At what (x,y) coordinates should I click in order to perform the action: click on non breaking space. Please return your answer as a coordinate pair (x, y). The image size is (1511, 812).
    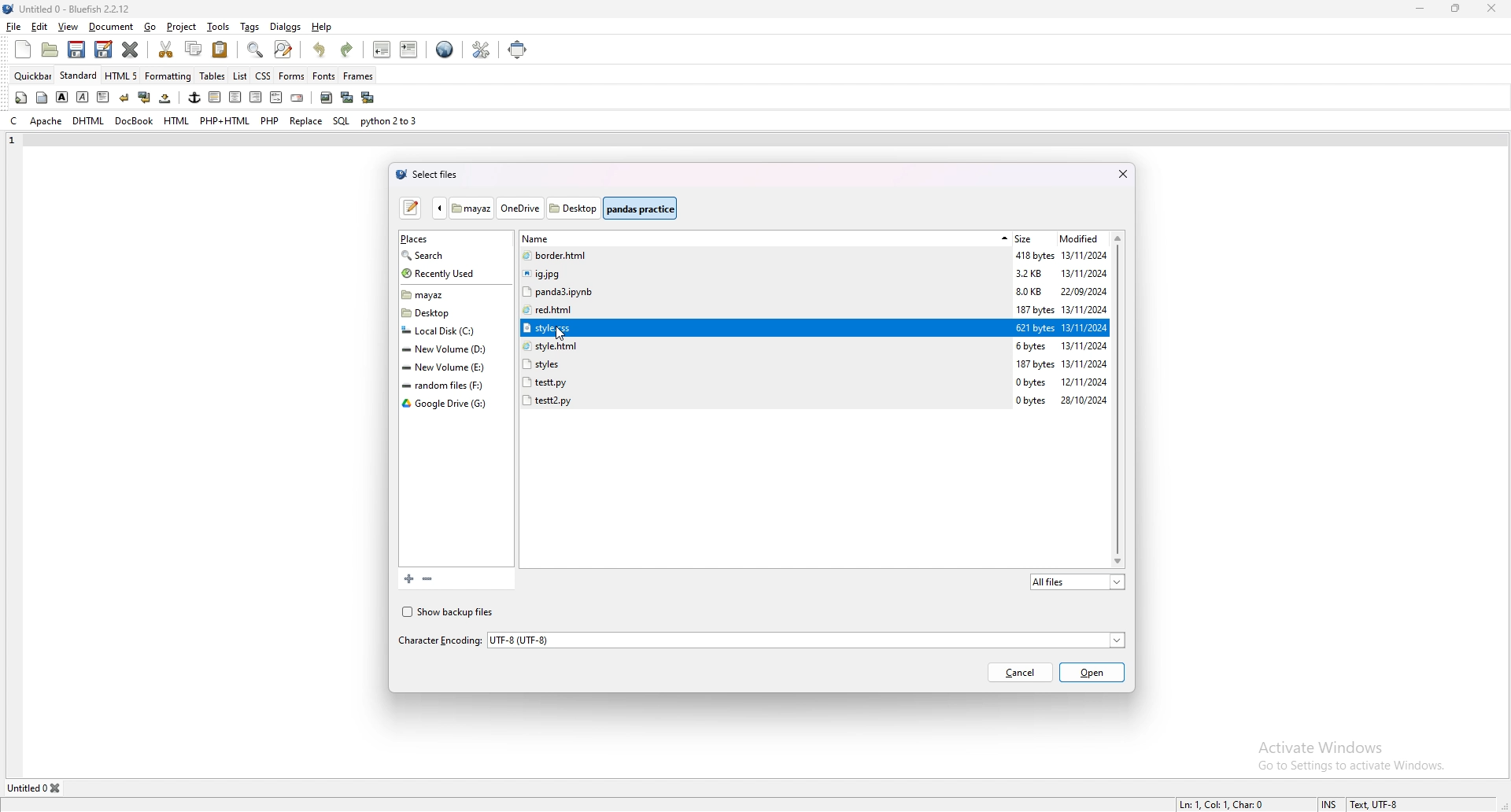
    Looking at the image, I should click on (166, 98).